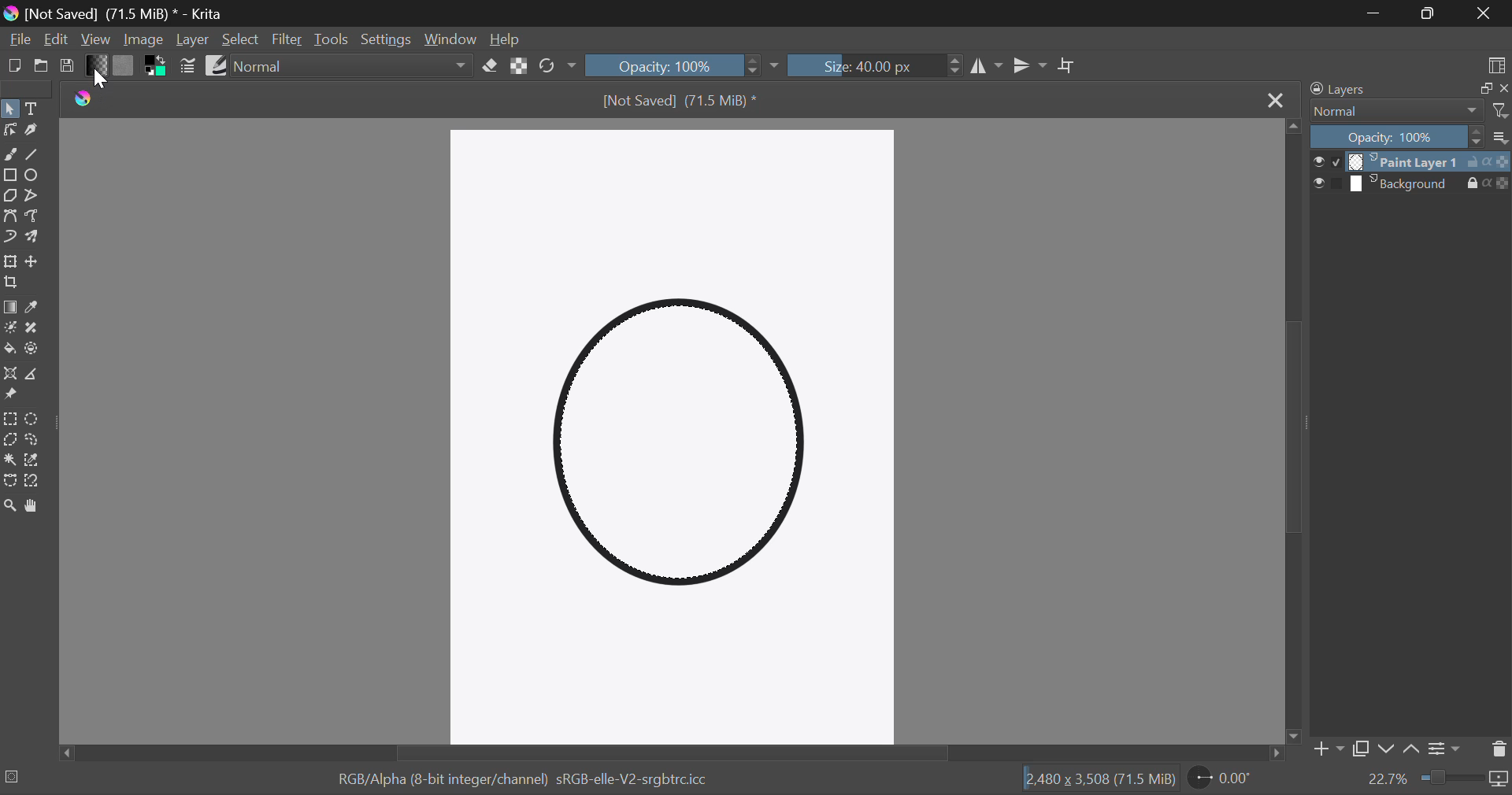  What do you see at coordinates (878, 65) in the screenshot?
I see `Brush Size` at bounding box center [878, 65].